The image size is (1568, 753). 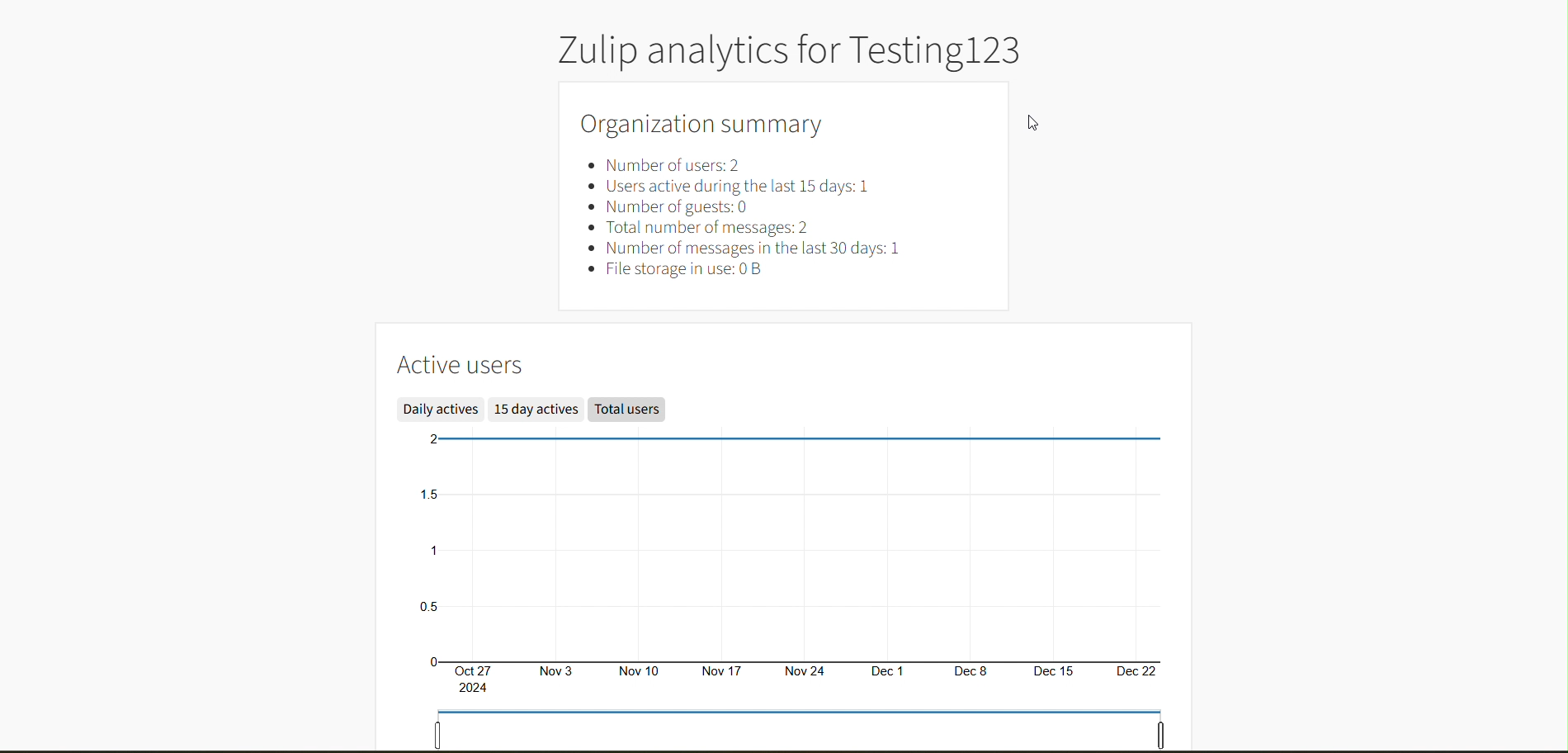 I want to click on Number of users: 2, so click(x=682, y=165).